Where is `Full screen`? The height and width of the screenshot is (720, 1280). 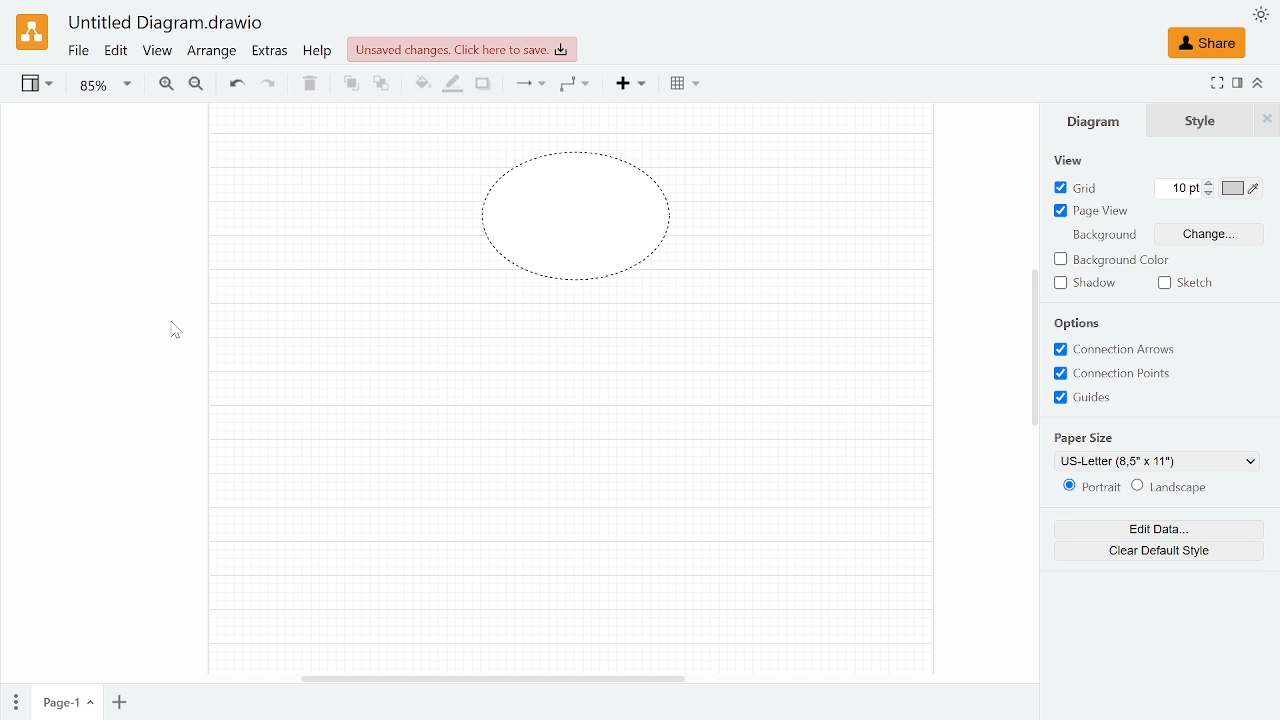 Full screen is located at coordinates (1216, 83).